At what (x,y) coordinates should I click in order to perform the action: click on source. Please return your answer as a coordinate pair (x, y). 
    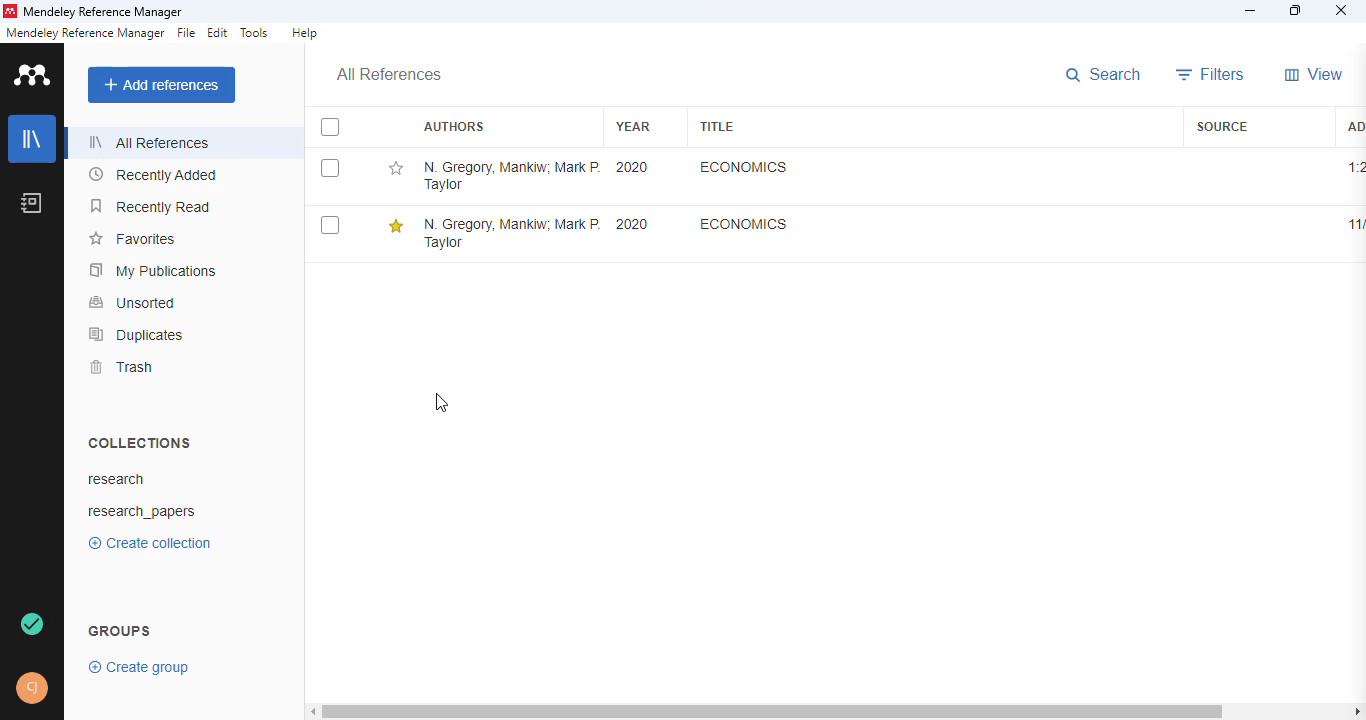
    Looking at the image, I should click on (1223, 127).